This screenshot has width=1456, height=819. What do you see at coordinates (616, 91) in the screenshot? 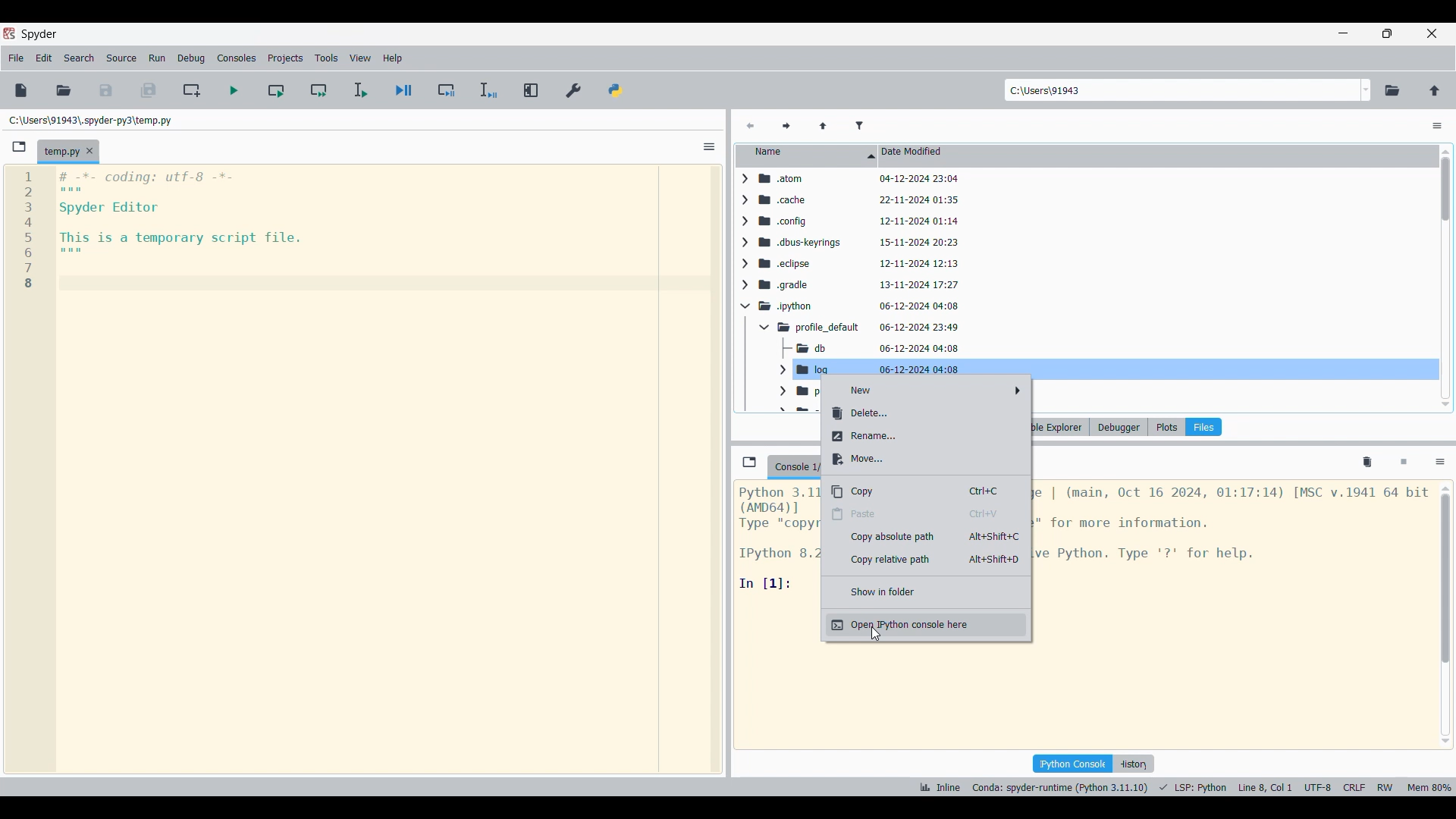
I see `PYTHONPATH manager` at bounding box center [616, 91].